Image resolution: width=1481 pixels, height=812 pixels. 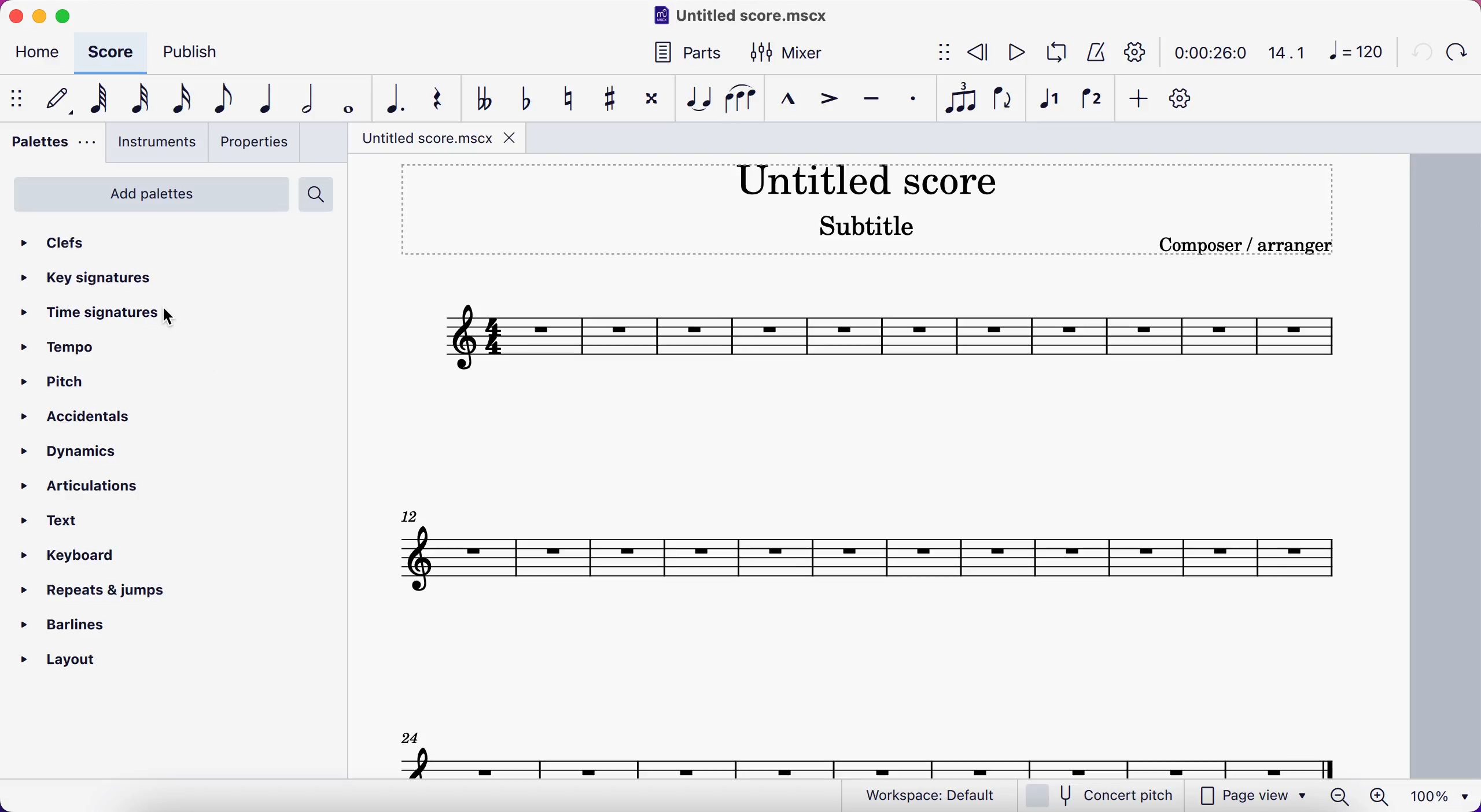 What do you see at coordinates (105, 316) in the screenshot?
I see `time signatures` at bounding box center [105, 316].